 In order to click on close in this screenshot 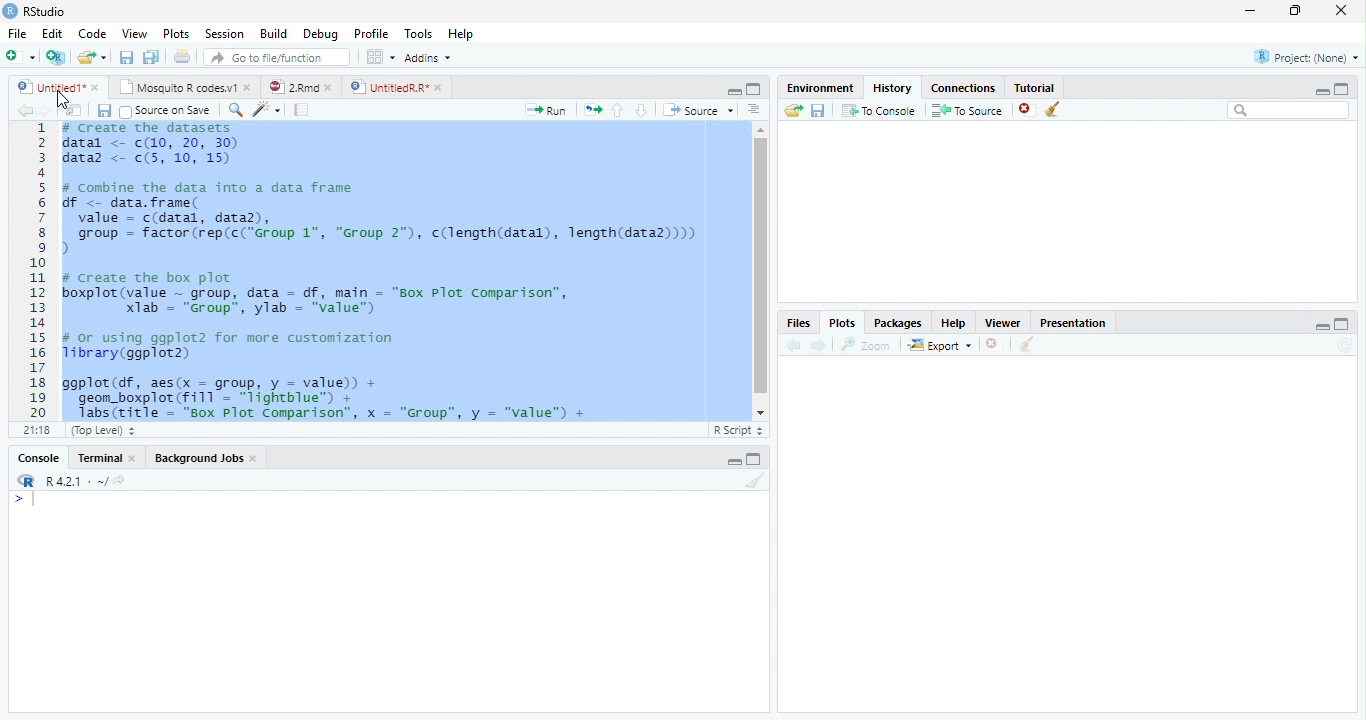, I will do `click(439, 87)`.